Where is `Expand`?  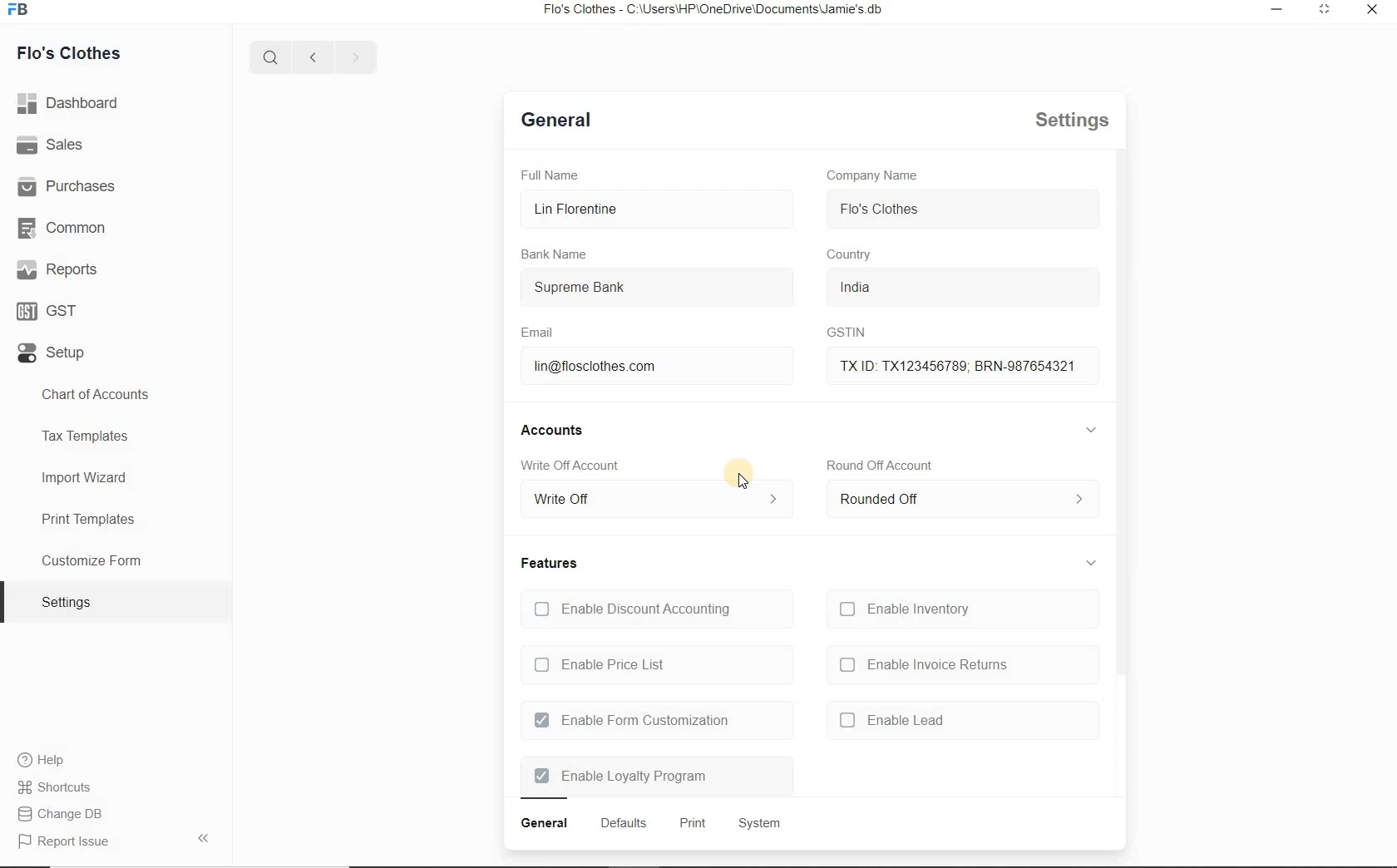 Expand is located at coordinates (1093, 430).